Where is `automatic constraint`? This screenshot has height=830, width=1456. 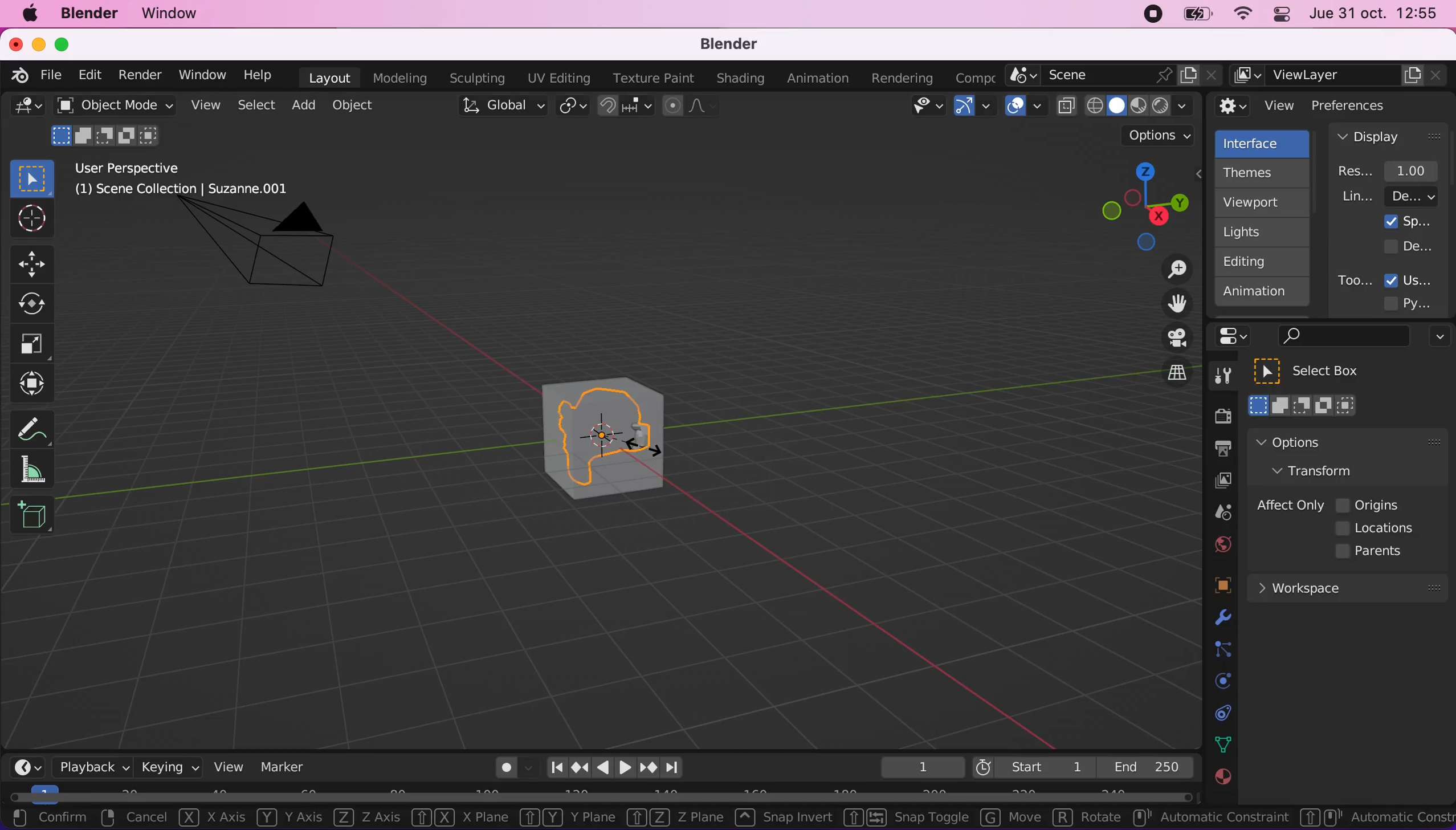 automatic constraint is located at coordinates (1211, 819).